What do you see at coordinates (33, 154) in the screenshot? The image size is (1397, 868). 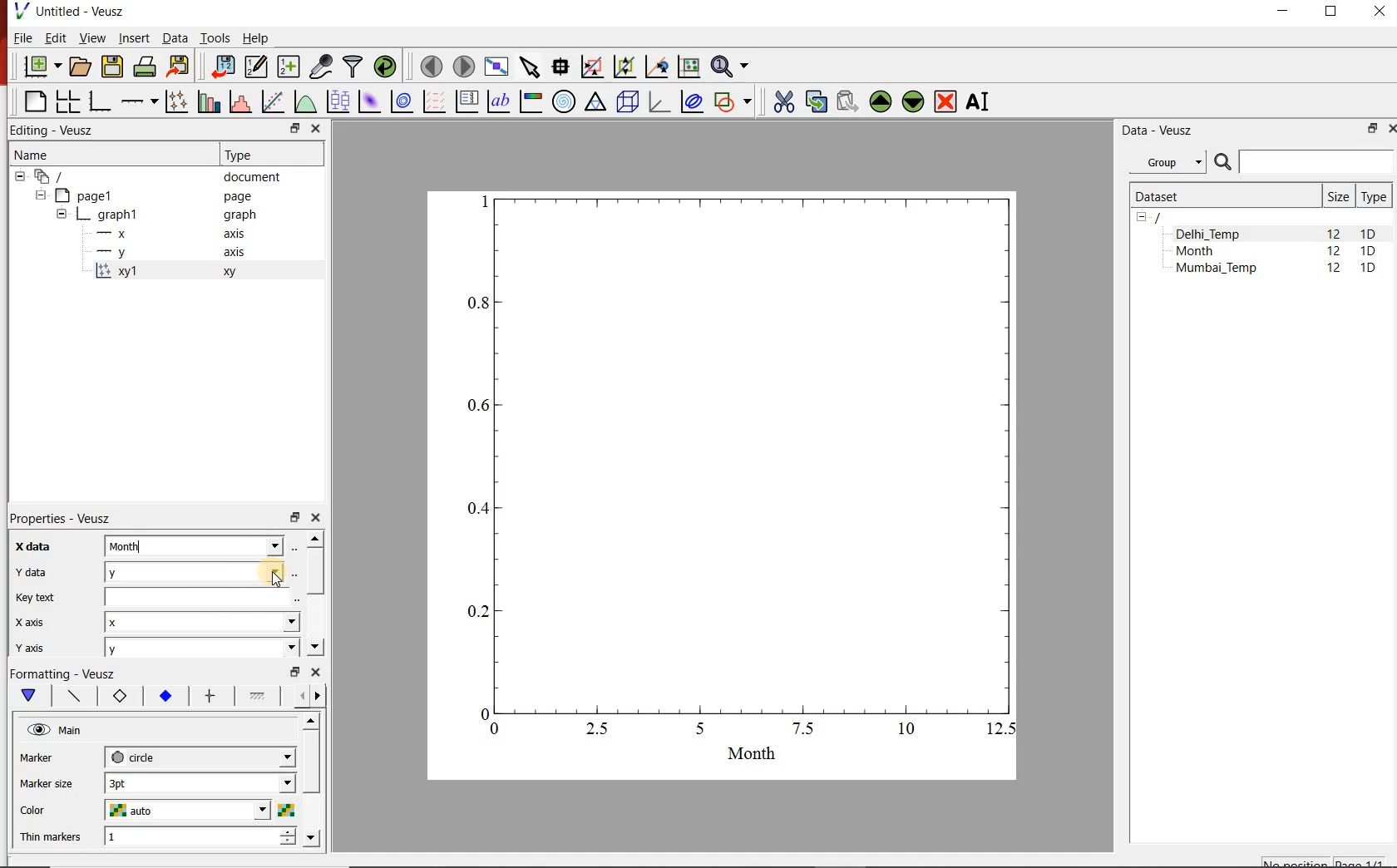 I see `Name` at bounding box center [33, 154].